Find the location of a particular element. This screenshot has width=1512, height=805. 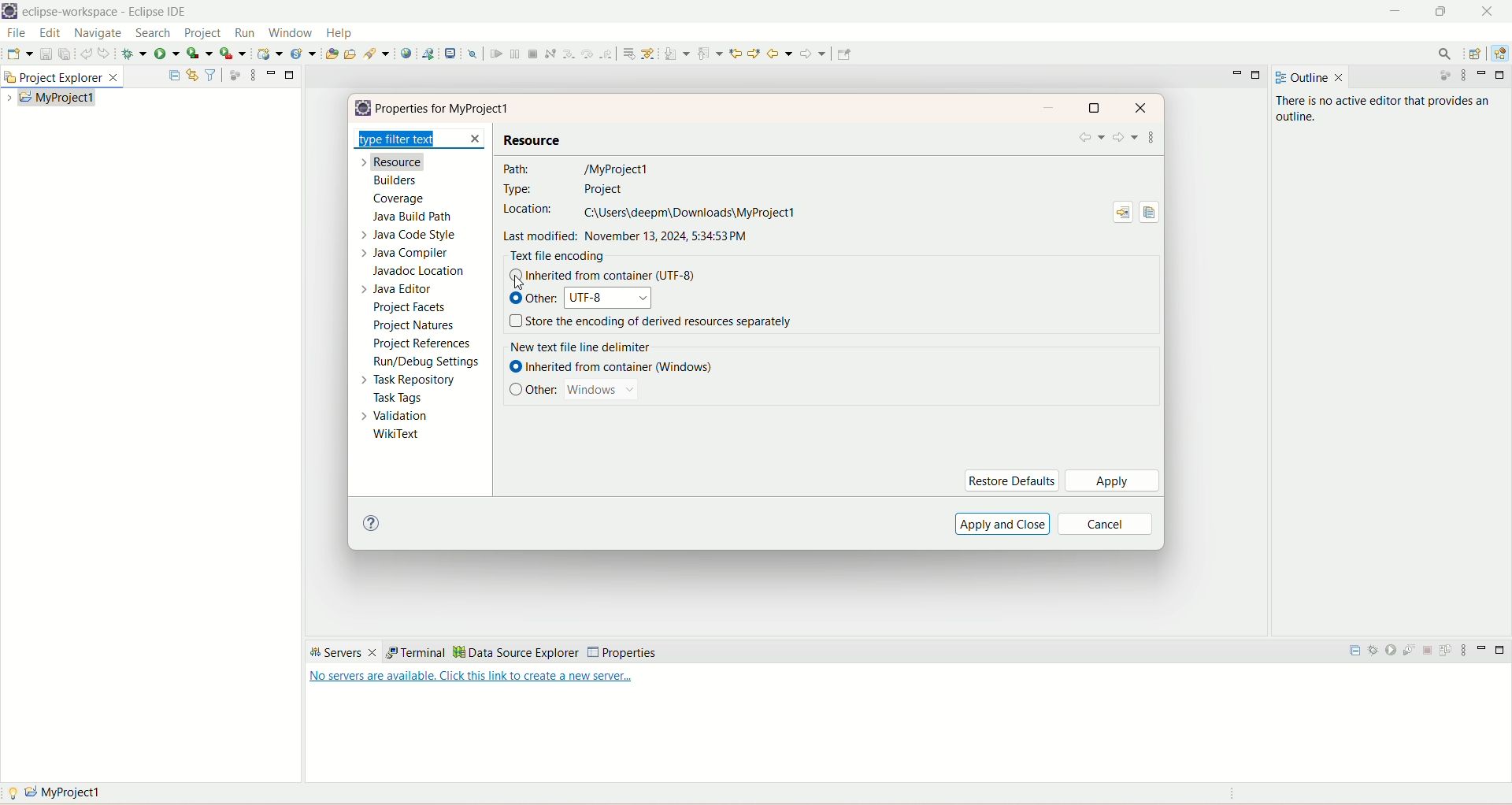

save is located at coordinates (45, 54).